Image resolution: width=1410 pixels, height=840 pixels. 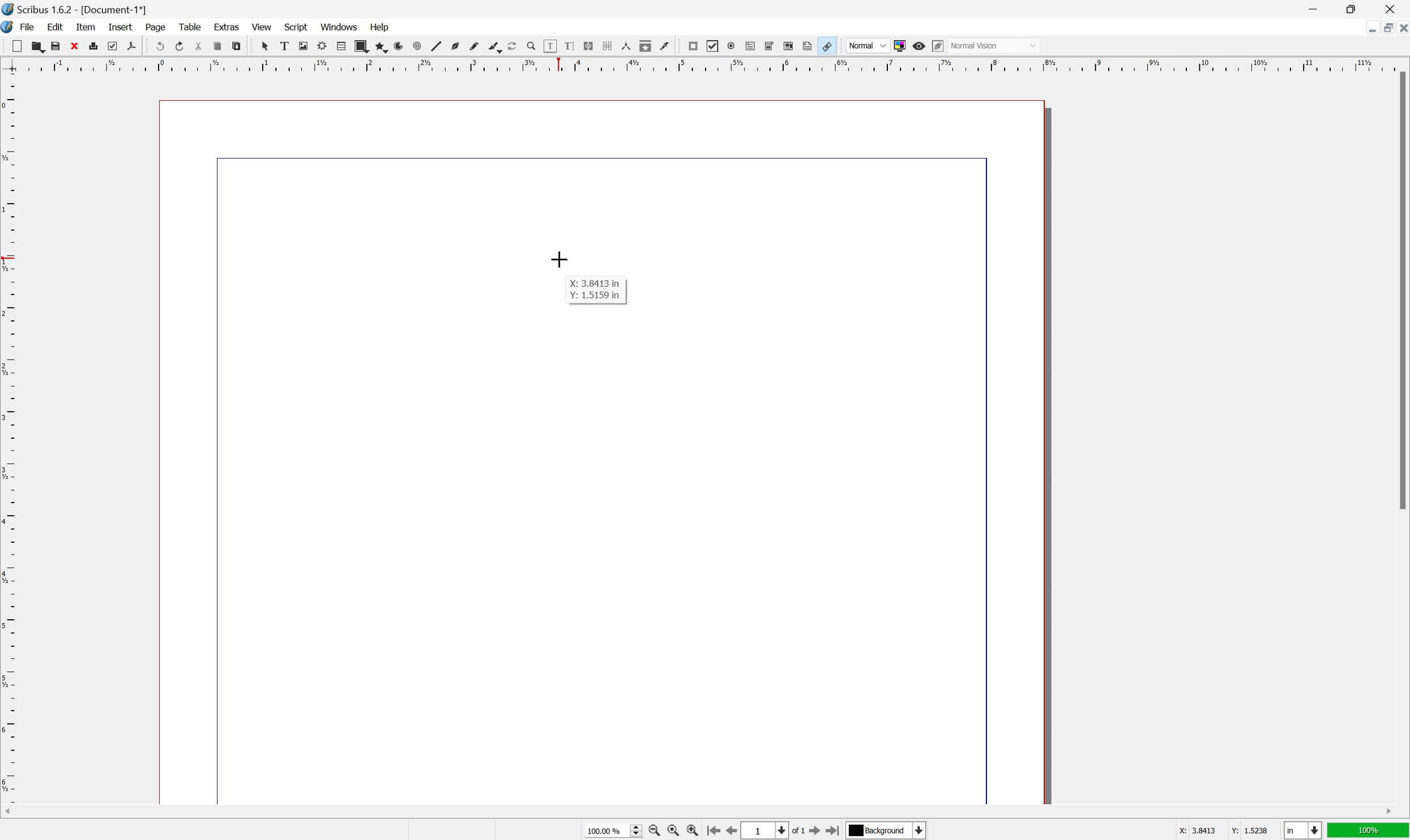 What do you see at coordinates (28, 27) in the screenshot?
I see `File` at bounding box center [28, 27].